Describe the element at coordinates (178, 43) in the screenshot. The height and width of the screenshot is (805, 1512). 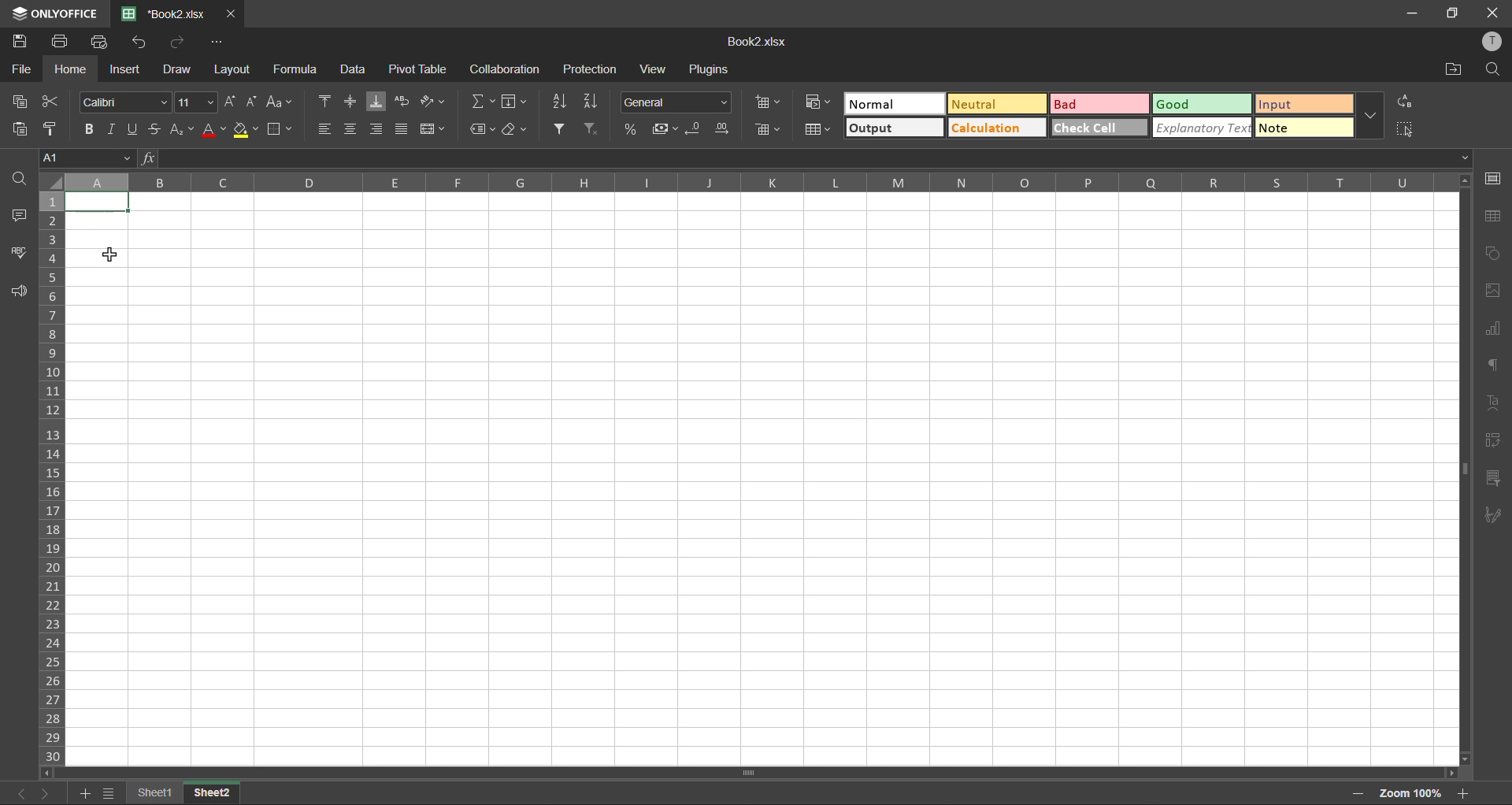
I see `redo` at that location.